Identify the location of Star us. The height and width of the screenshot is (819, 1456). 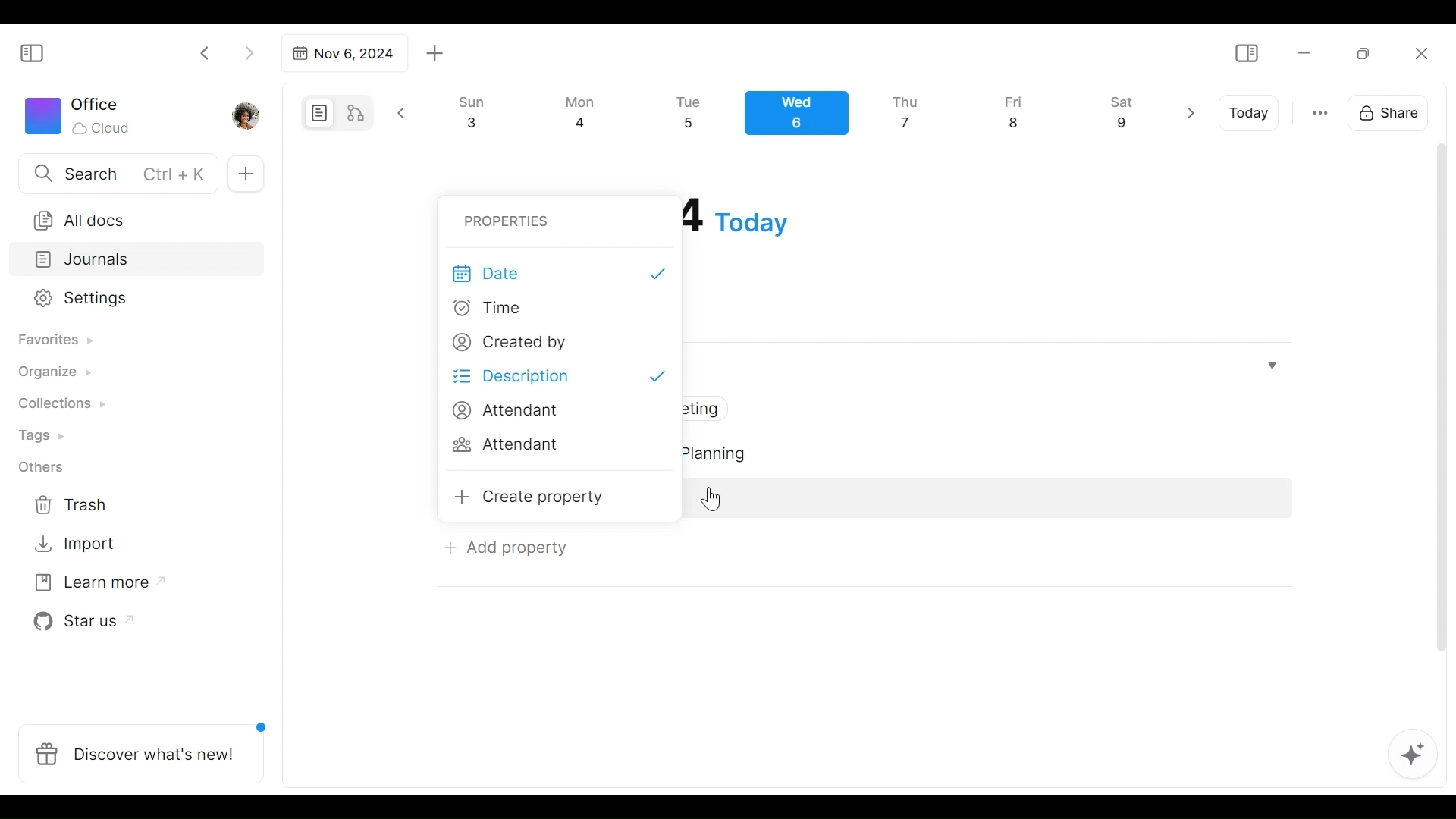
(79, 622).